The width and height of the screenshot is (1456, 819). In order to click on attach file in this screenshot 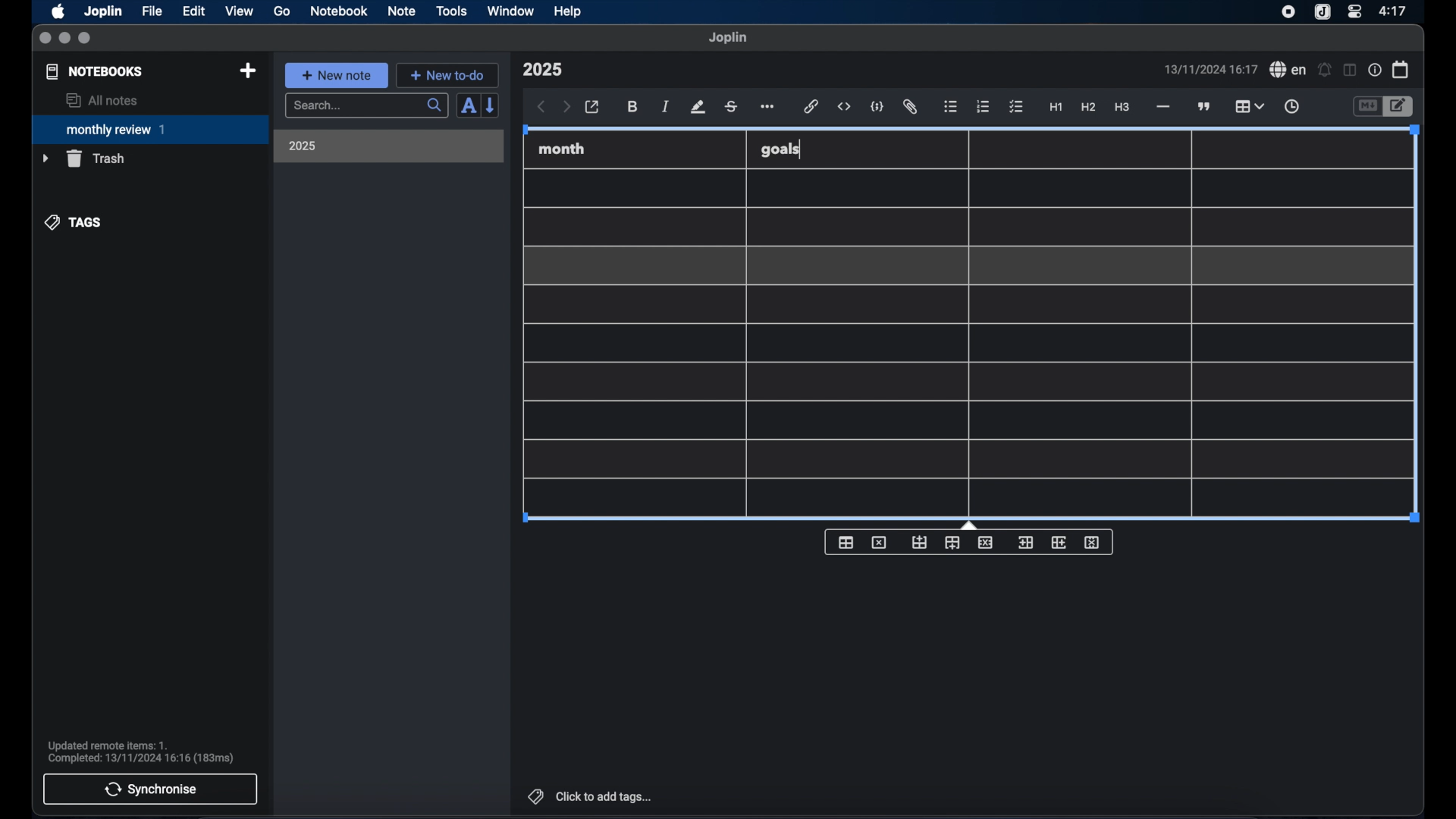, I will do `click(910, 107)`.